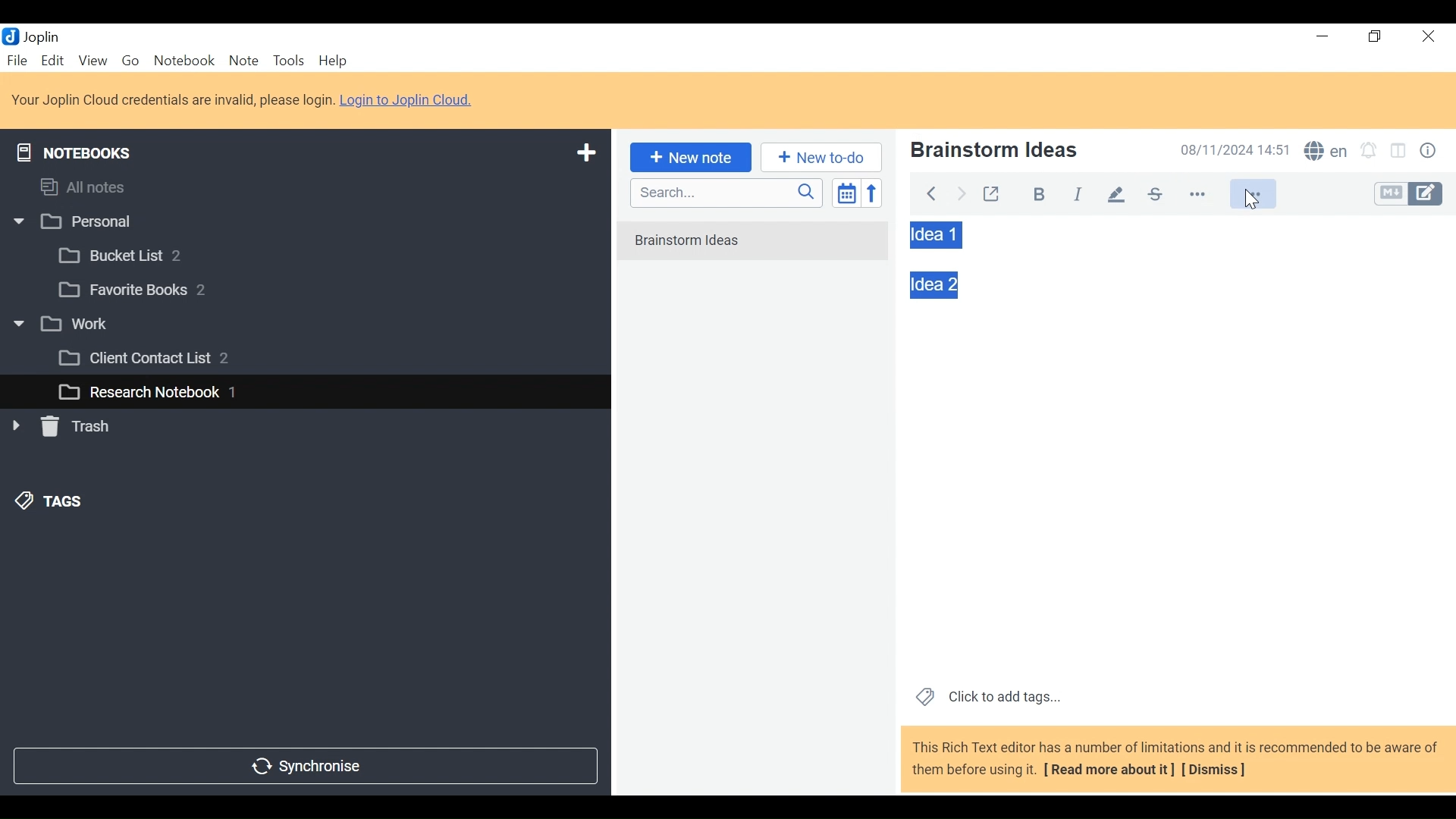 The height and width of the screenshot is (819, 1456). Describe the element at coordinates (149, 254) in the screenshot. I see `[3 Bucket List 2` at that location.